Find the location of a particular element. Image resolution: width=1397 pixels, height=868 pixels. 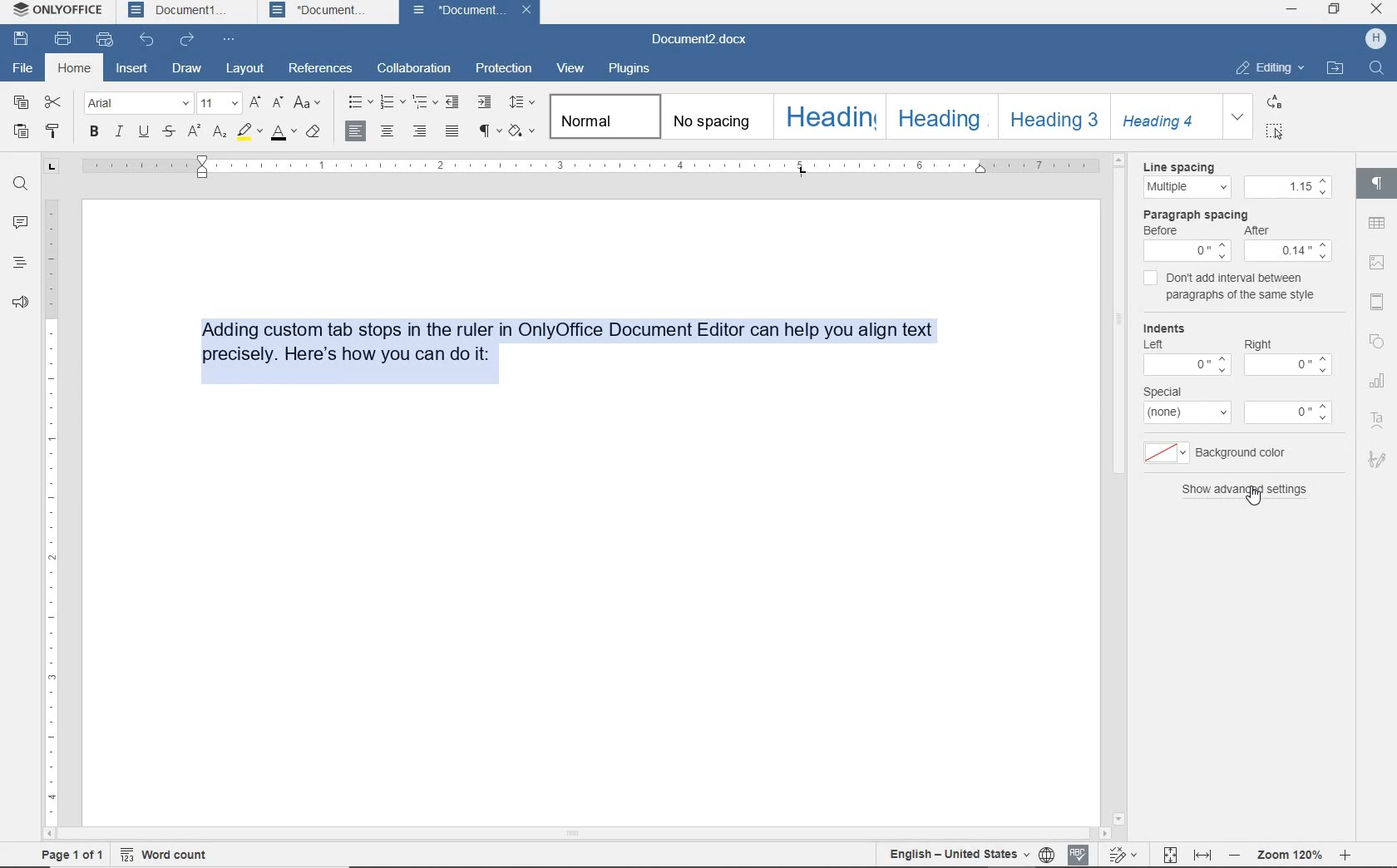

align center is located at coordinates (388, 131).